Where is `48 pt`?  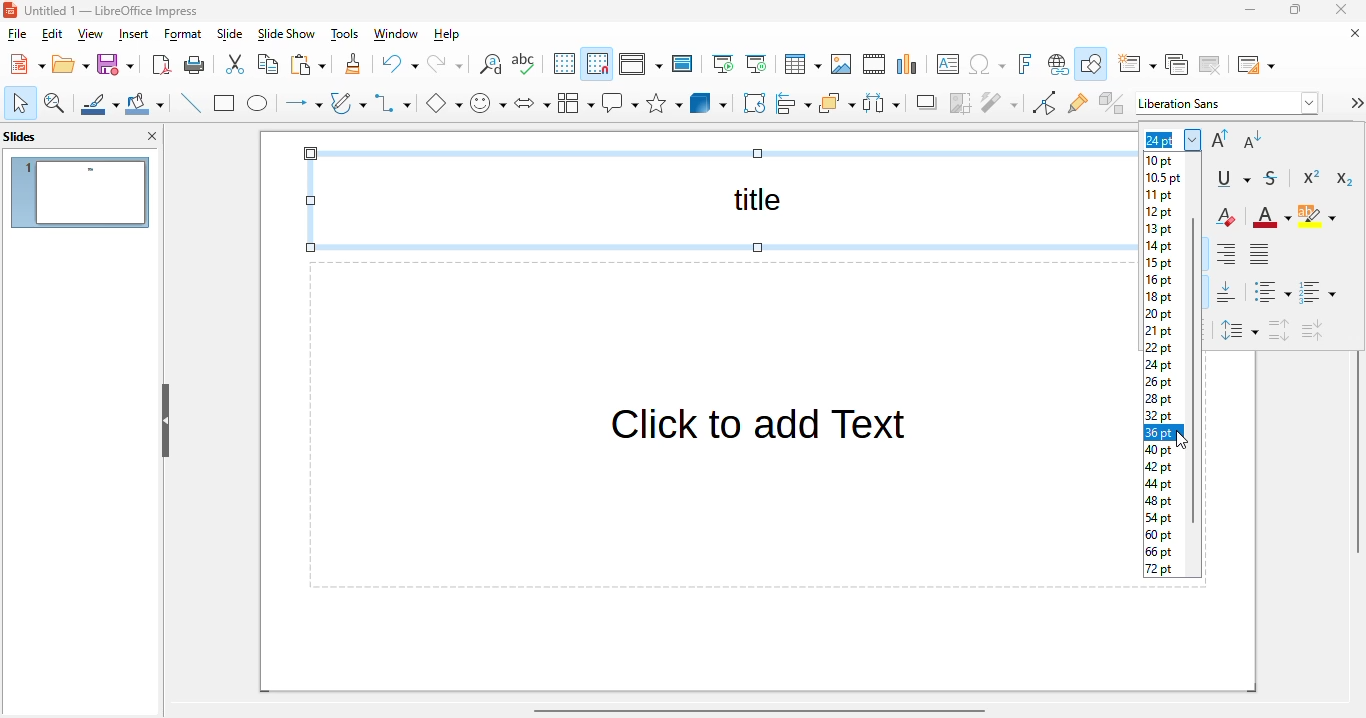 48 pt is located at coordinates (1160, 501).